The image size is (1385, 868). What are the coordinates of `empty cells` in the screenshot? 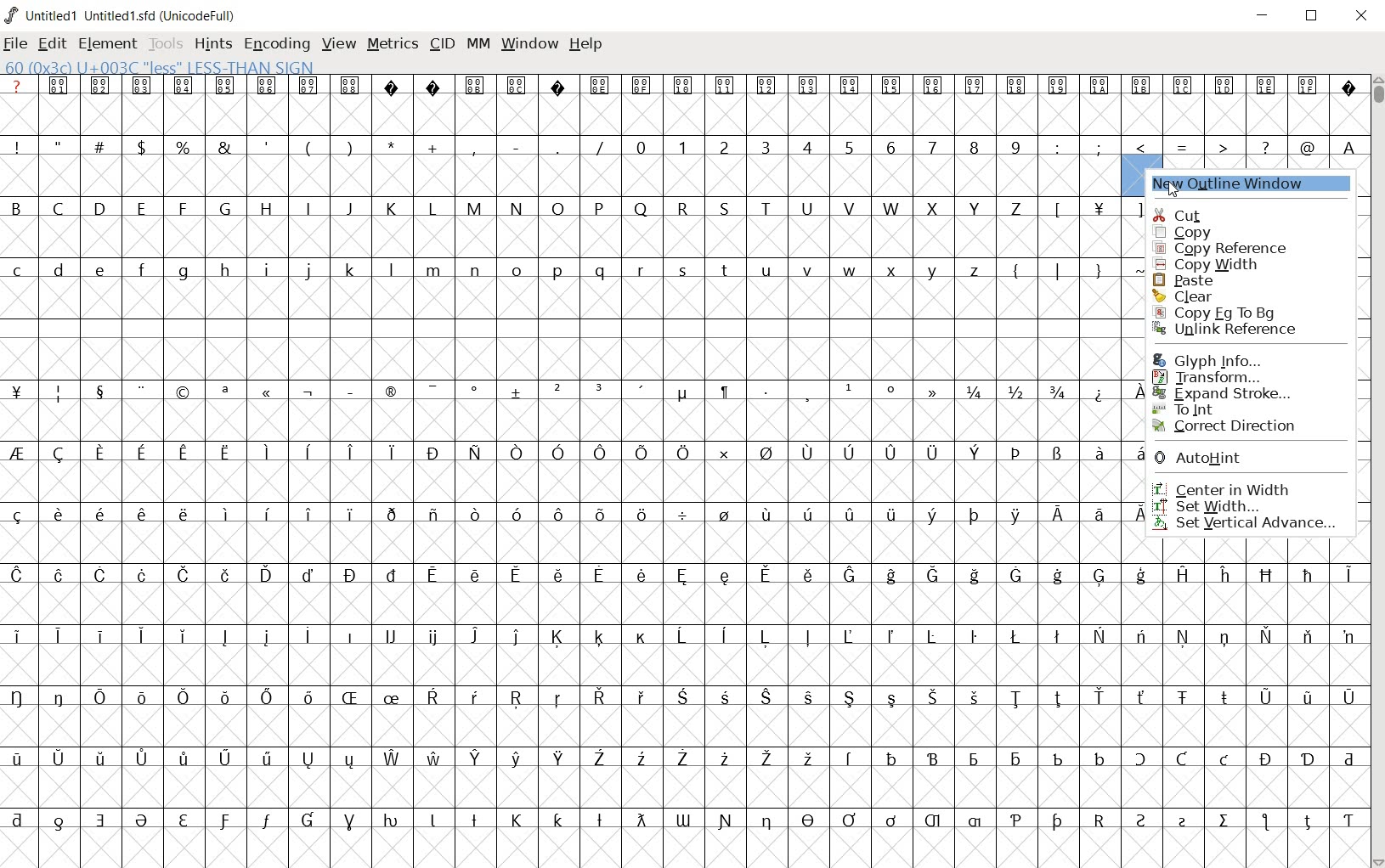 It's located at (681, 114).